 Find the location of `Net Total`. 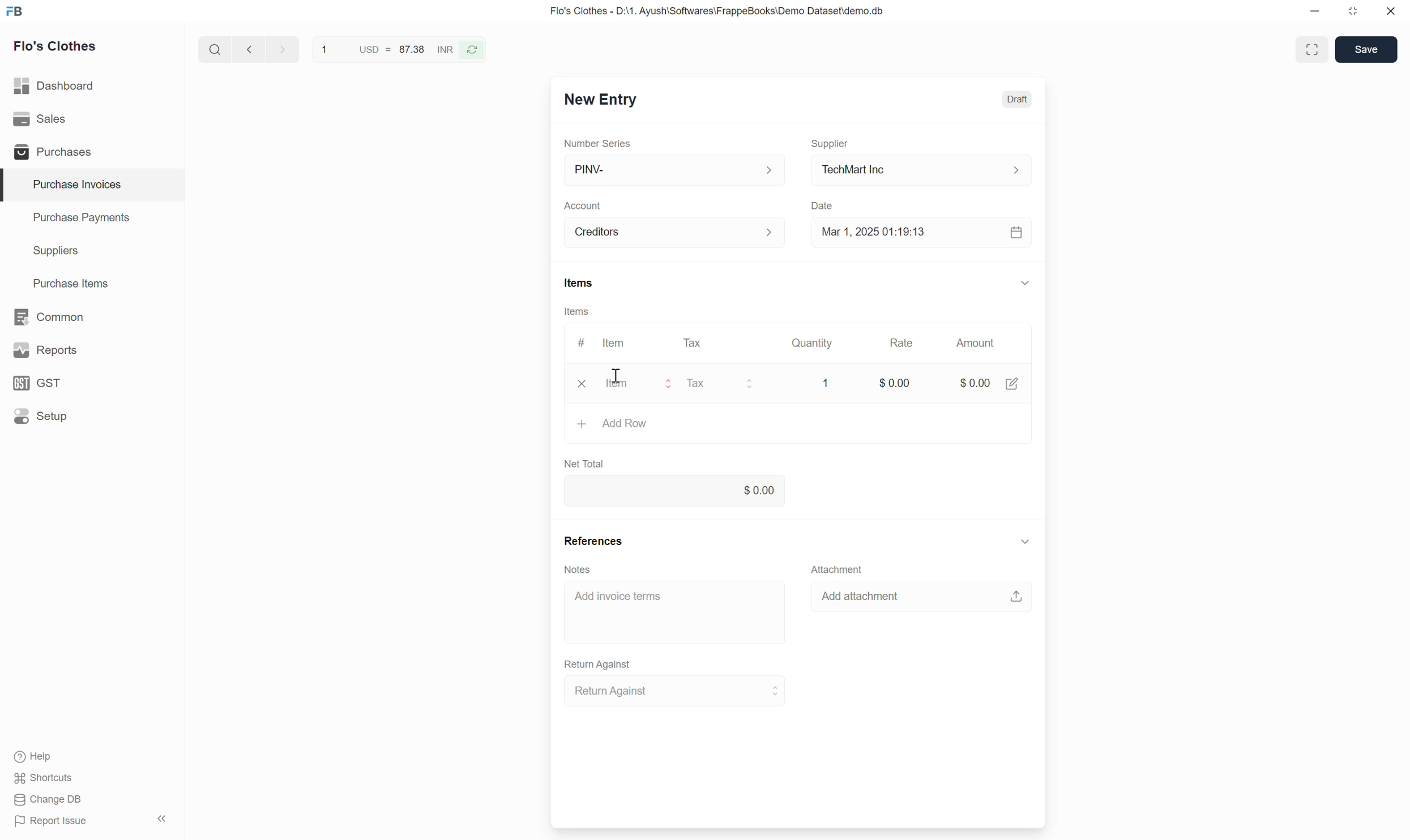

Net Total is located at coordinates (590, 463).